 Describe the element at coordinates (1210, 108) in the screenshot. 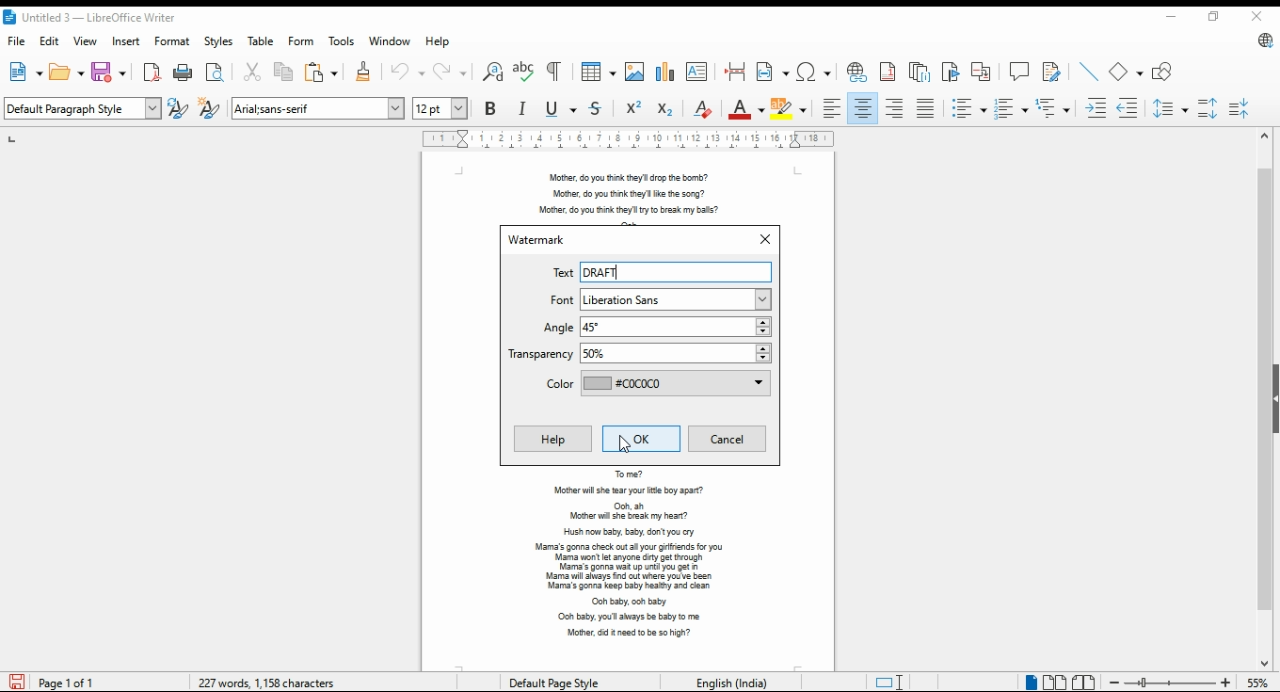

I see `increase paragraph spacing` at that location.